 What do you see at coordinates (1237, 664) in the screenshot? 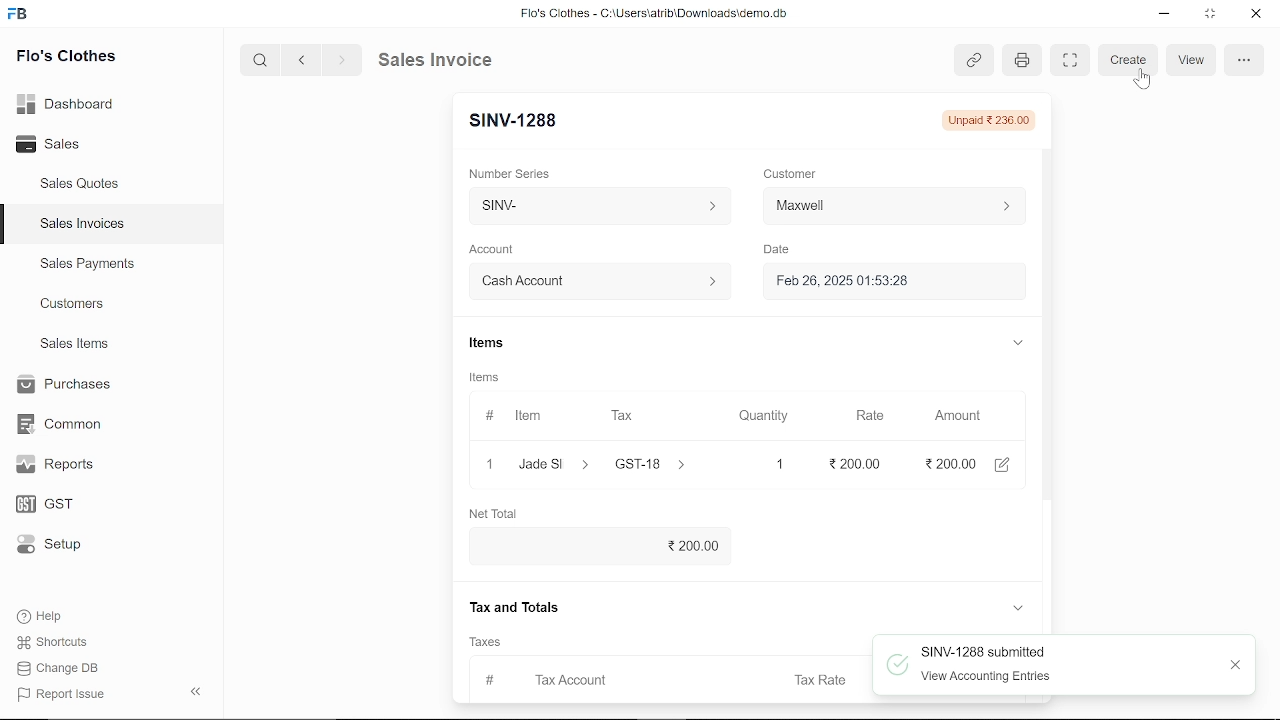
I see `close` at bounding box center [1237, 664].